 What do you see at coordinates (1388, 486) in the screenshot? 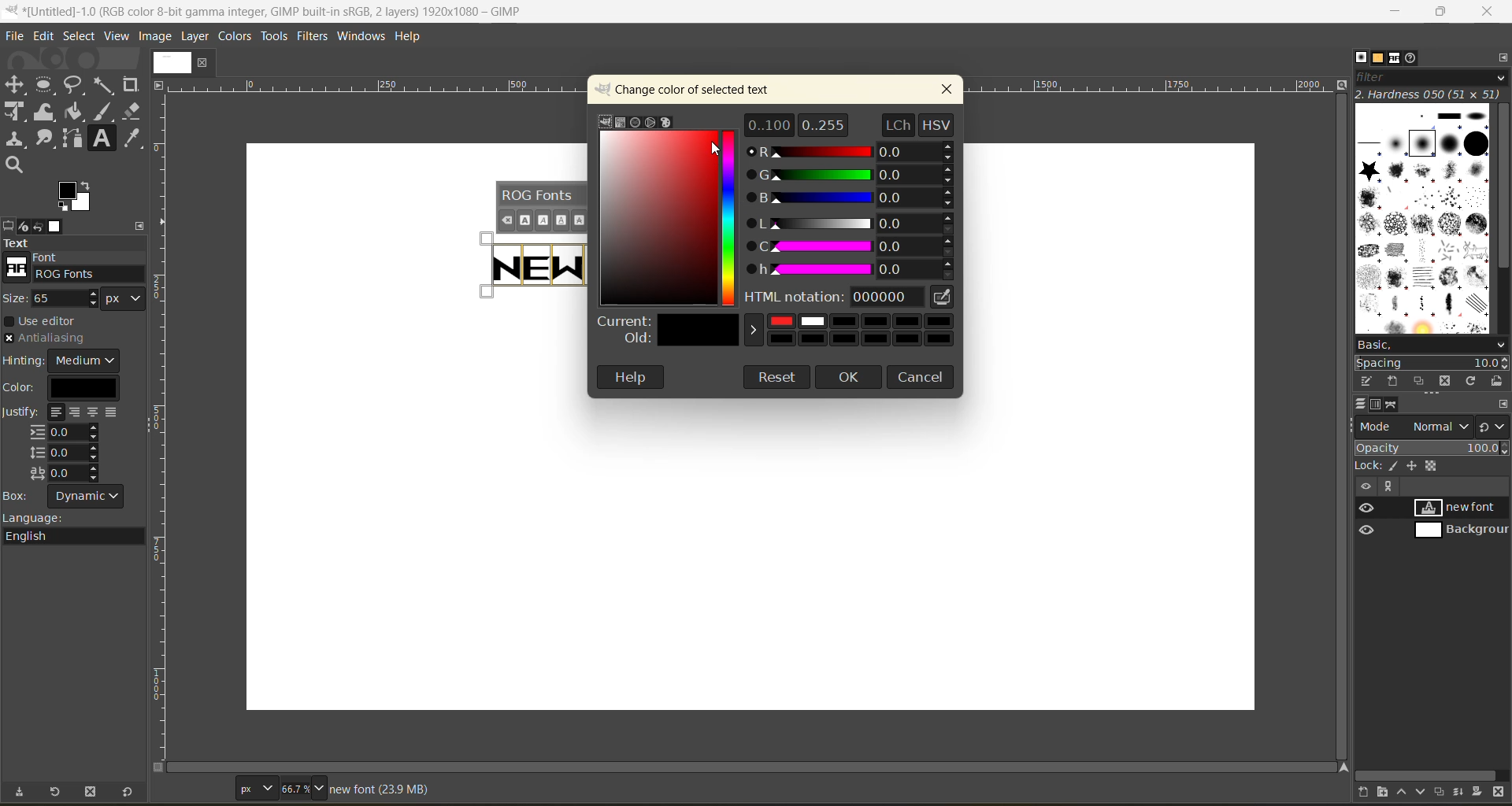
I see `view paths` at bounding box center [1388, 486].